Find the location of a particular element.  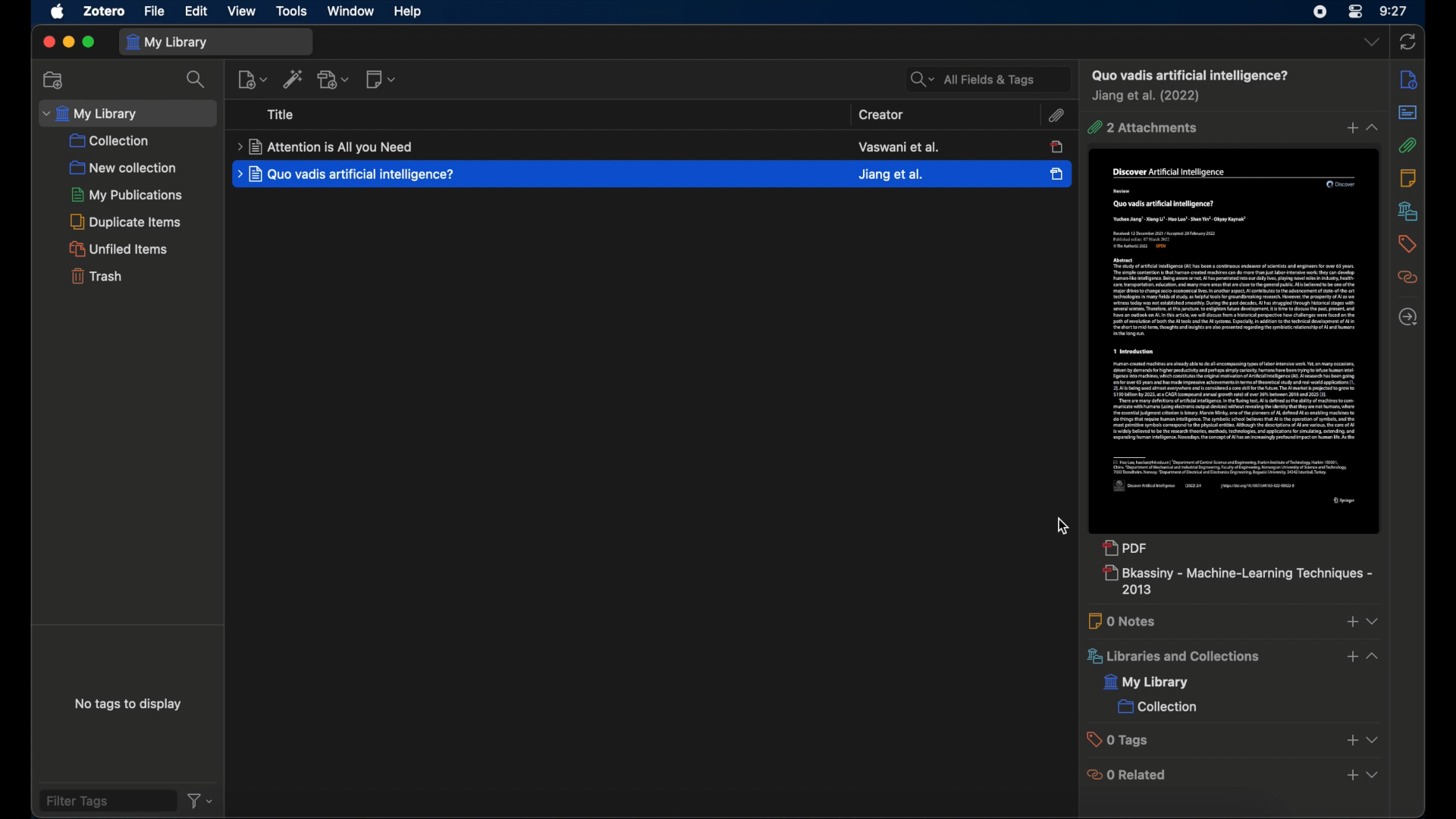

creator is located at coordinates (898, 148).